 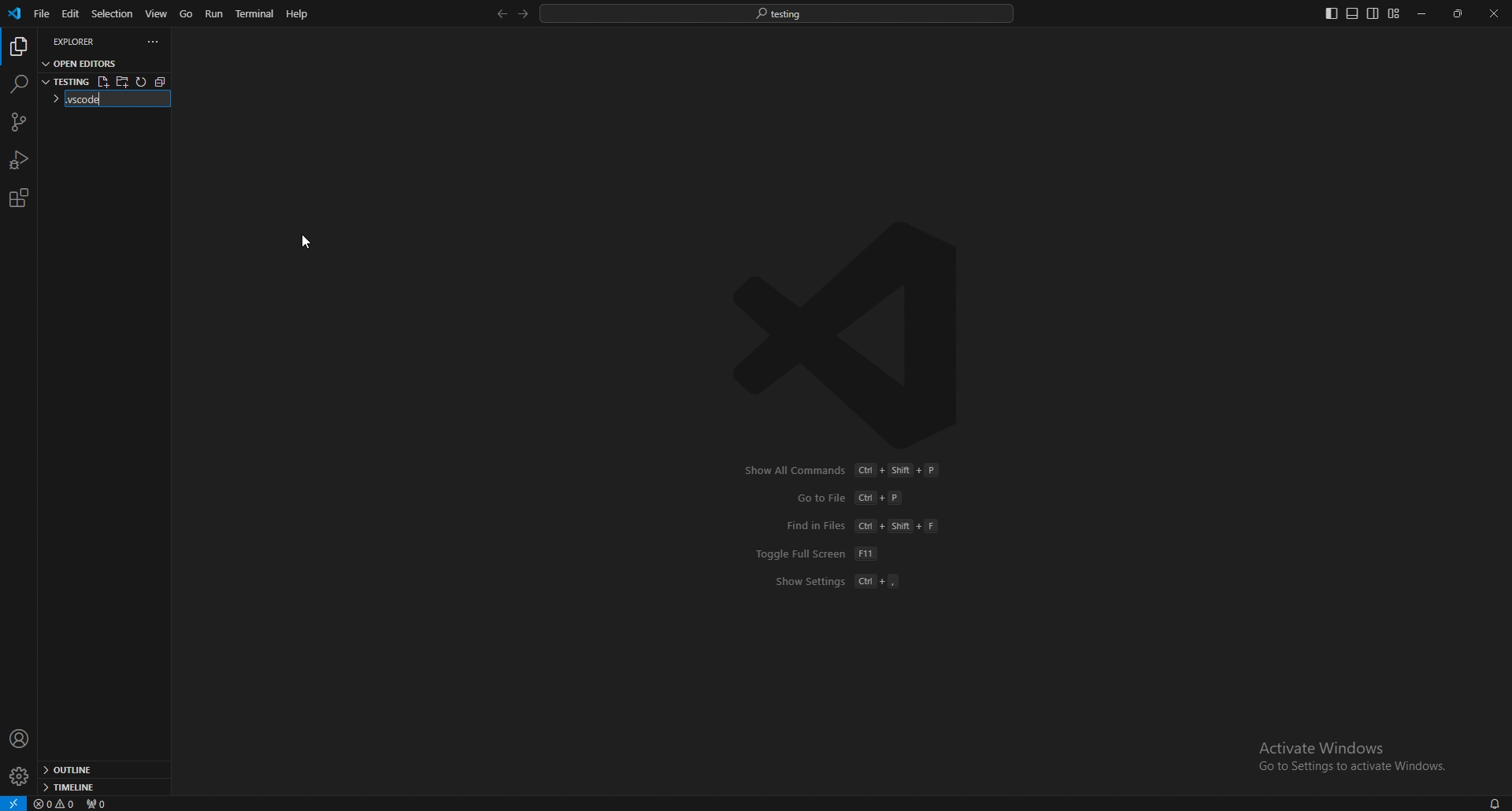 I want to click on terminal, so click(x=258, y=14).